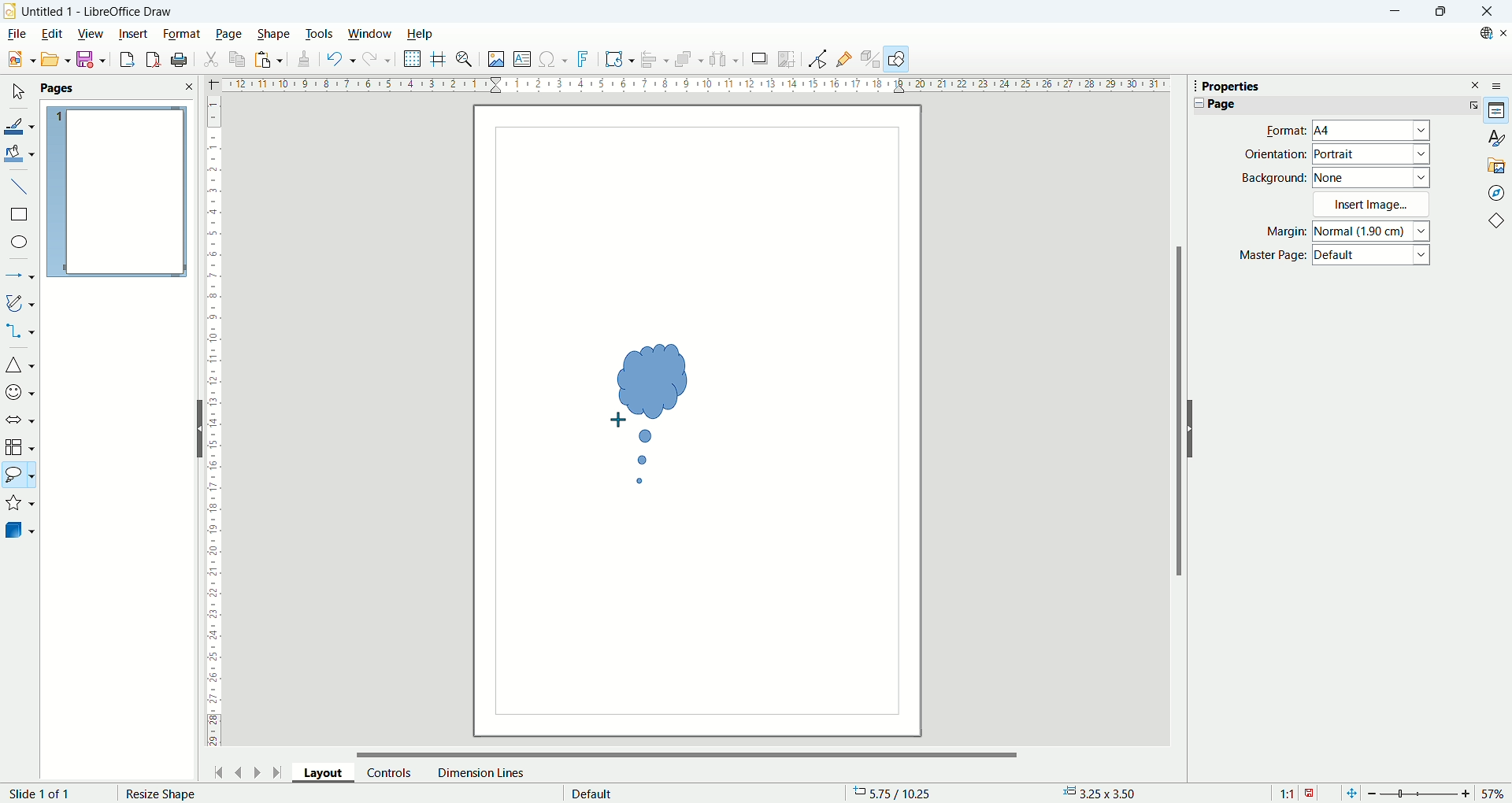  What do you see at coordinates (1497, 111) in the screenshot?
I see `Properties` at bounding box center [1497, 111].